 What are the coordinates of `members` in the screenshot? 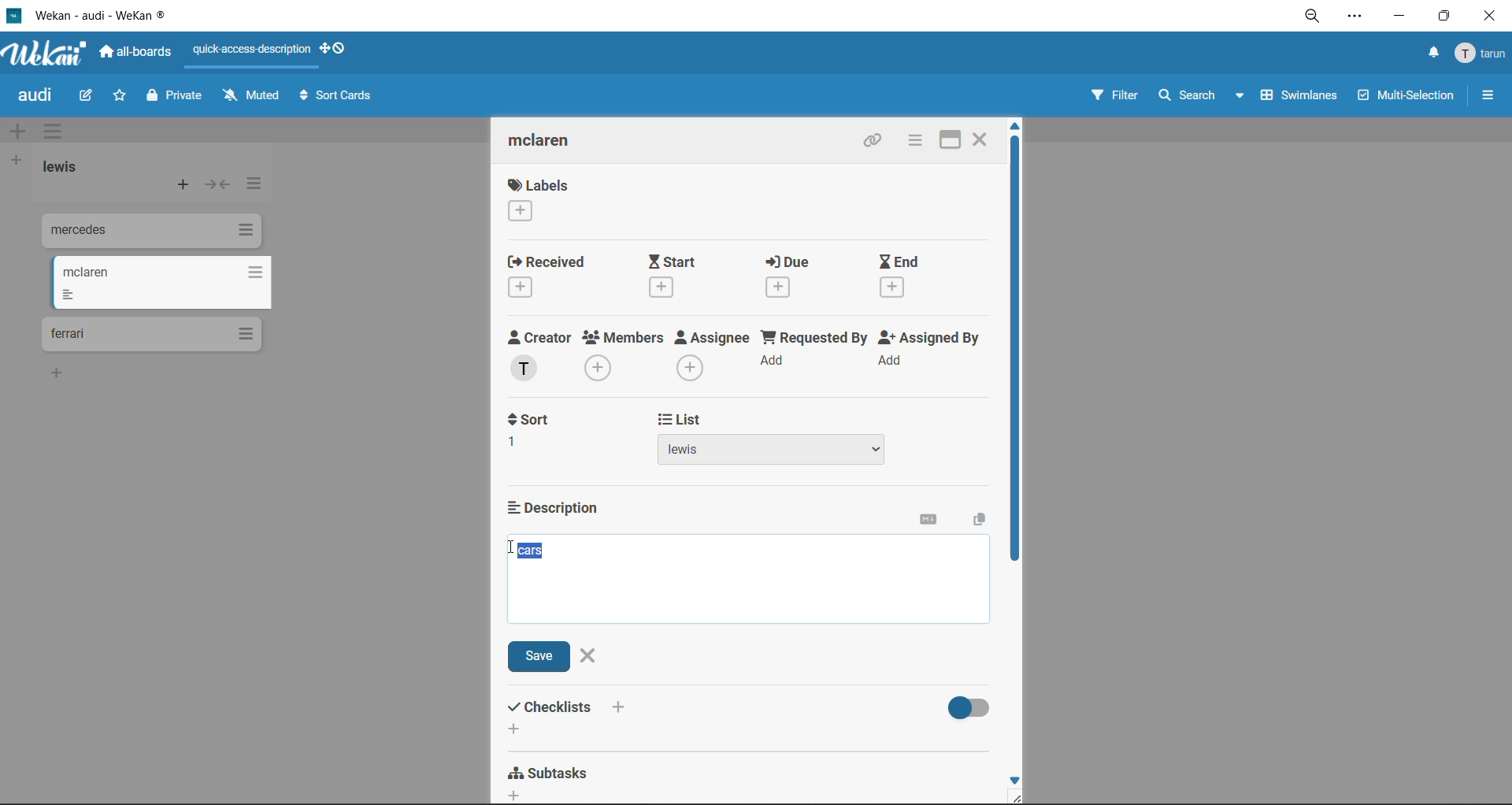 It's located at (626, 358).